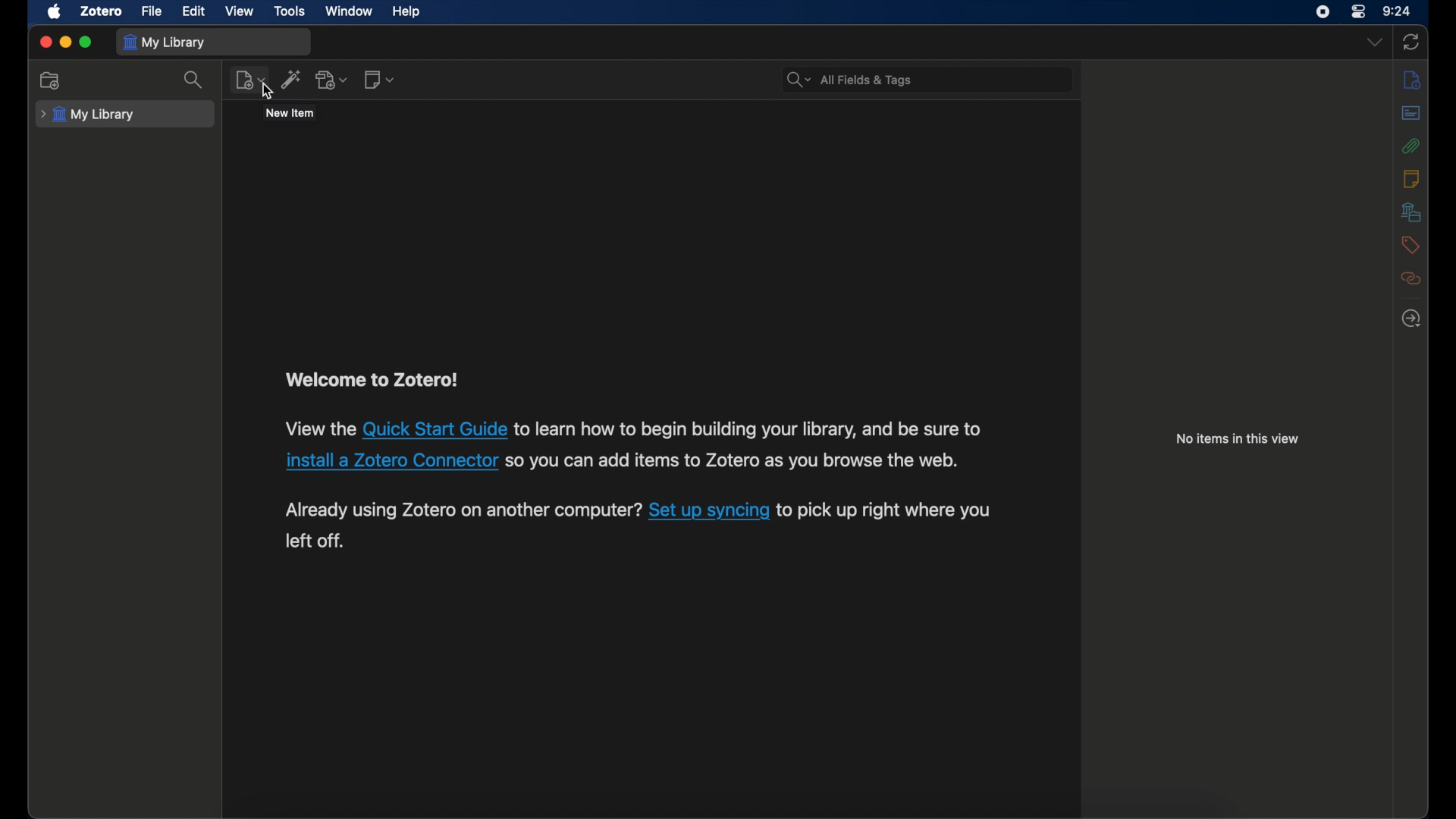 The height and width of the screenshot is (819, 1456). I want to click on view, so click(238, 11).